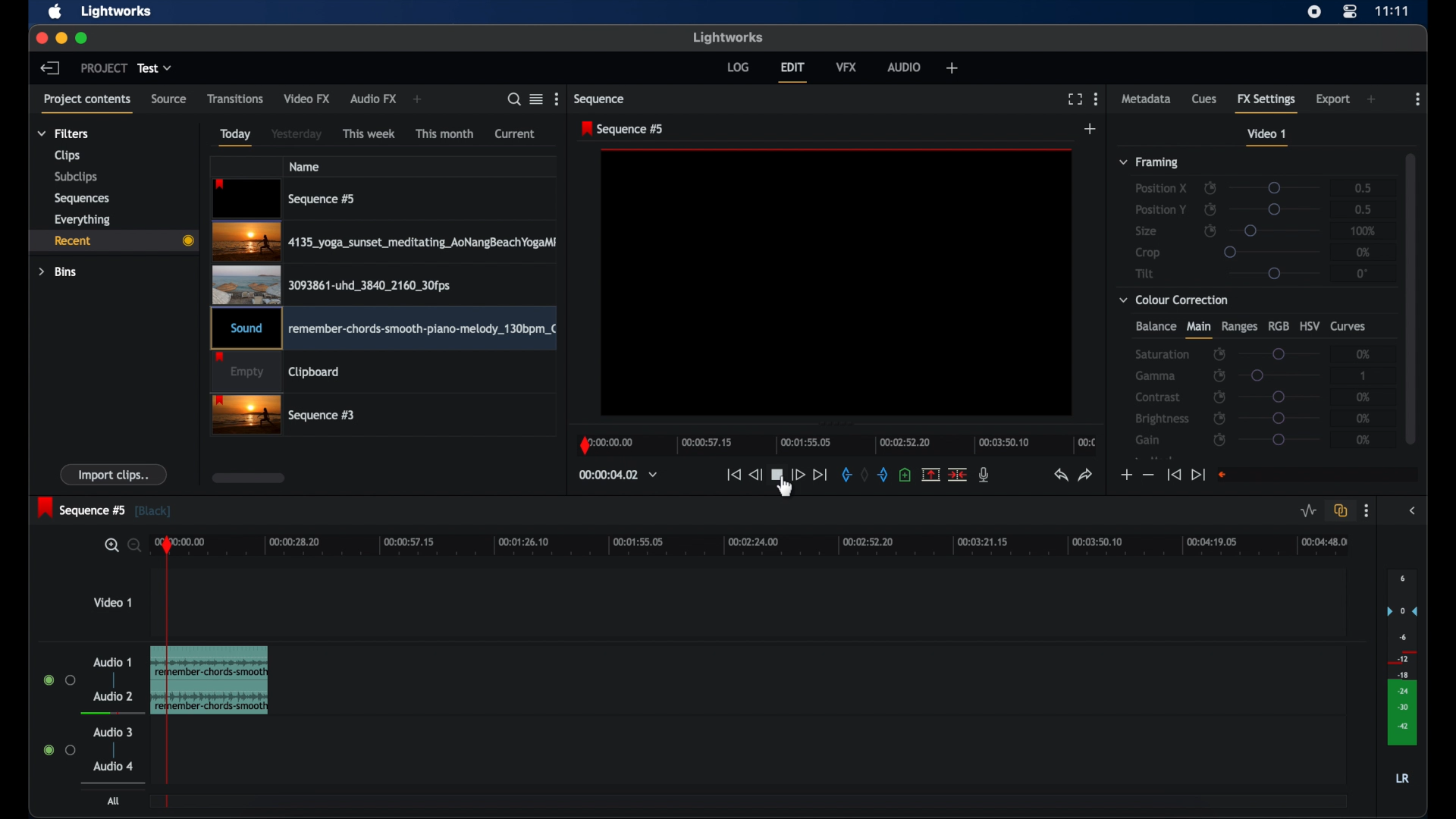  What do you see at coordinates (59, 749) in the screenshot?
I see `radio buttons` at bounding box center [59, 749].